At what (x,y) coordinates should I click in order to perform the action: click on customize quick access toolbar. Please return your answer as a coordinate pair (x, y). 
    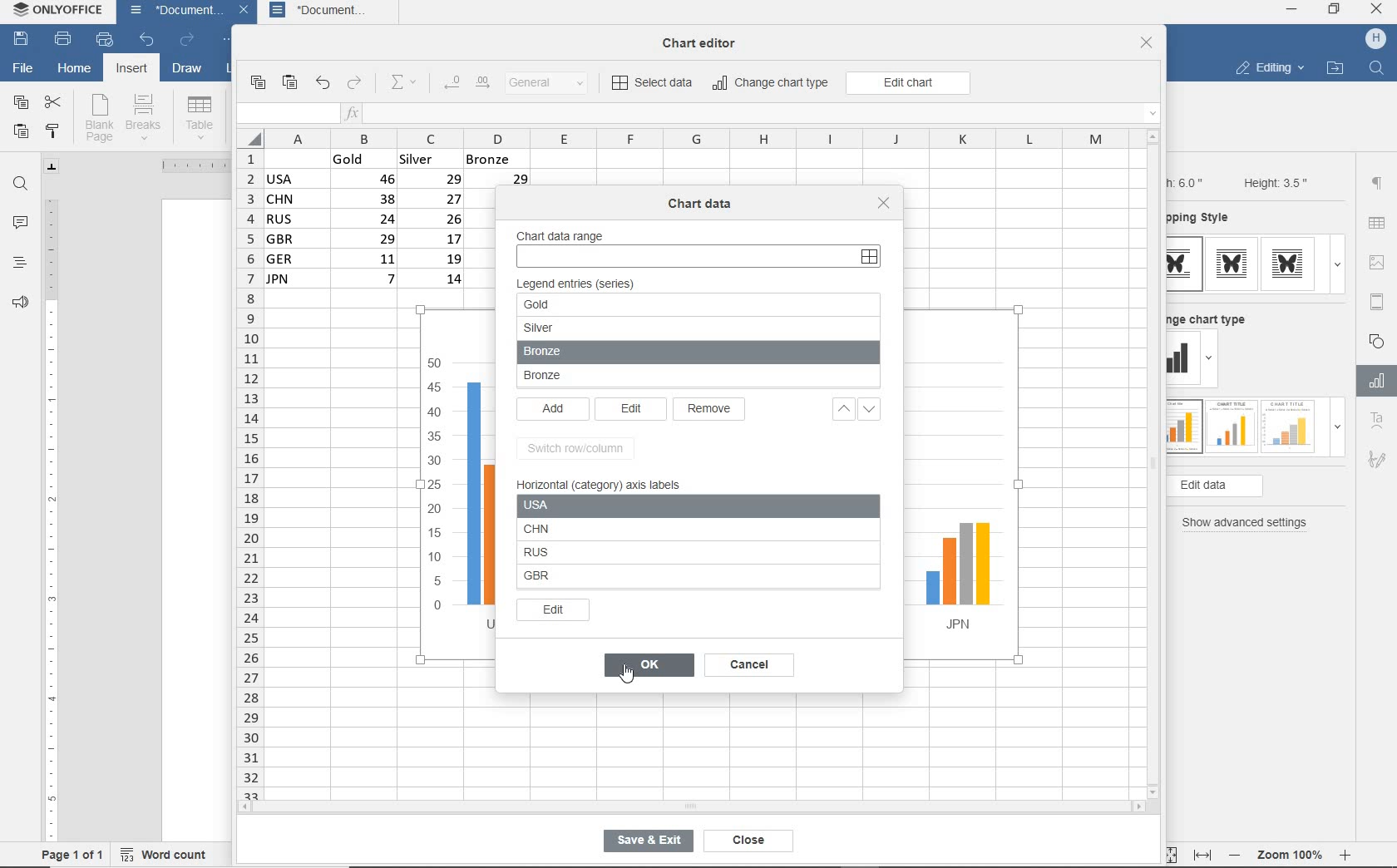
    Looking at the image, I should click on (230, 42).